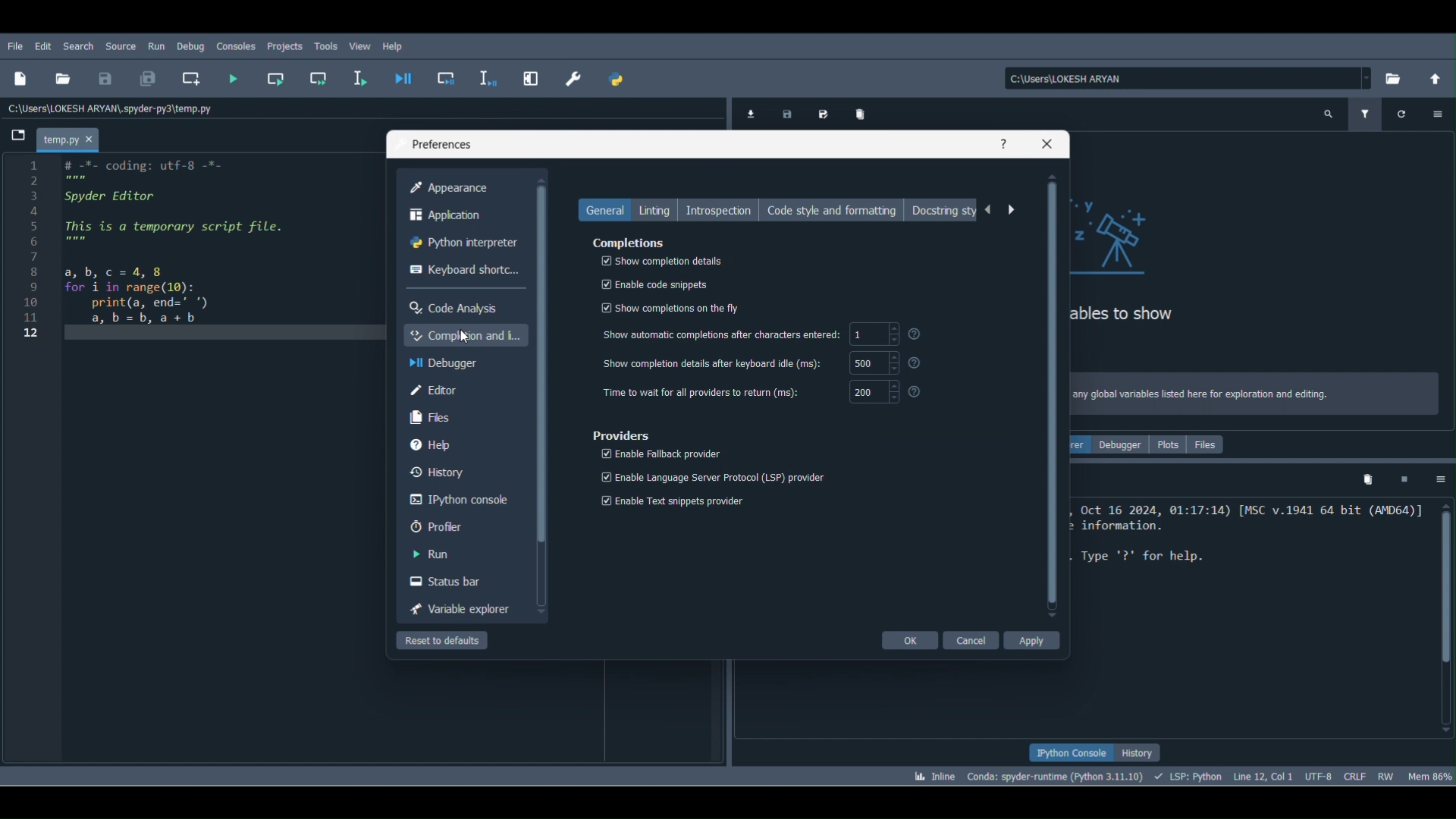 This screenshot has height=819, width=1456. I want to click on Interrupt kernel, so click(1406, 478).